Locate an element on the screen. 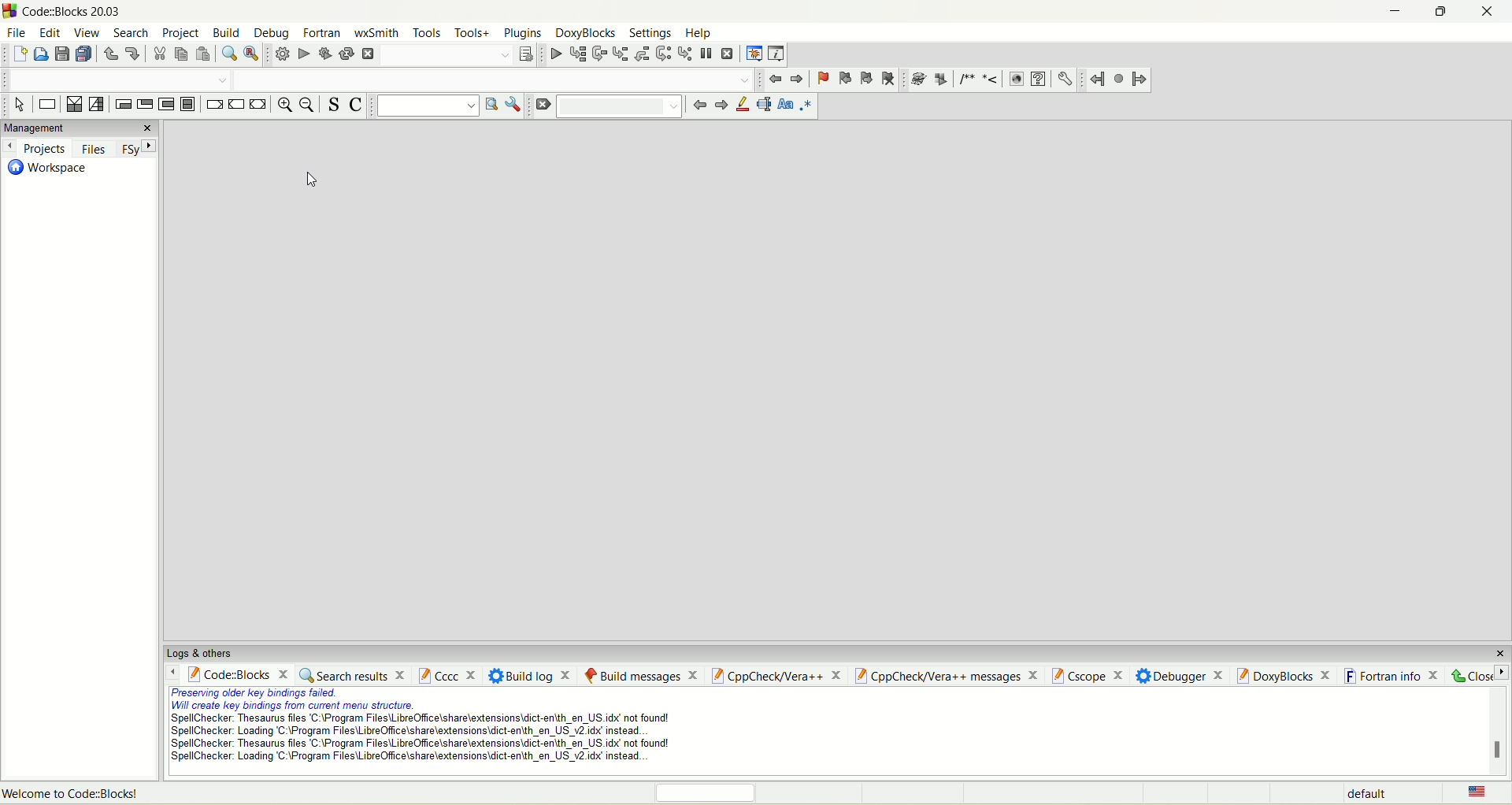 Image resolution: width=1512 pixels, height=805 pixels. step into instruction is located at coordinates (684, 54).